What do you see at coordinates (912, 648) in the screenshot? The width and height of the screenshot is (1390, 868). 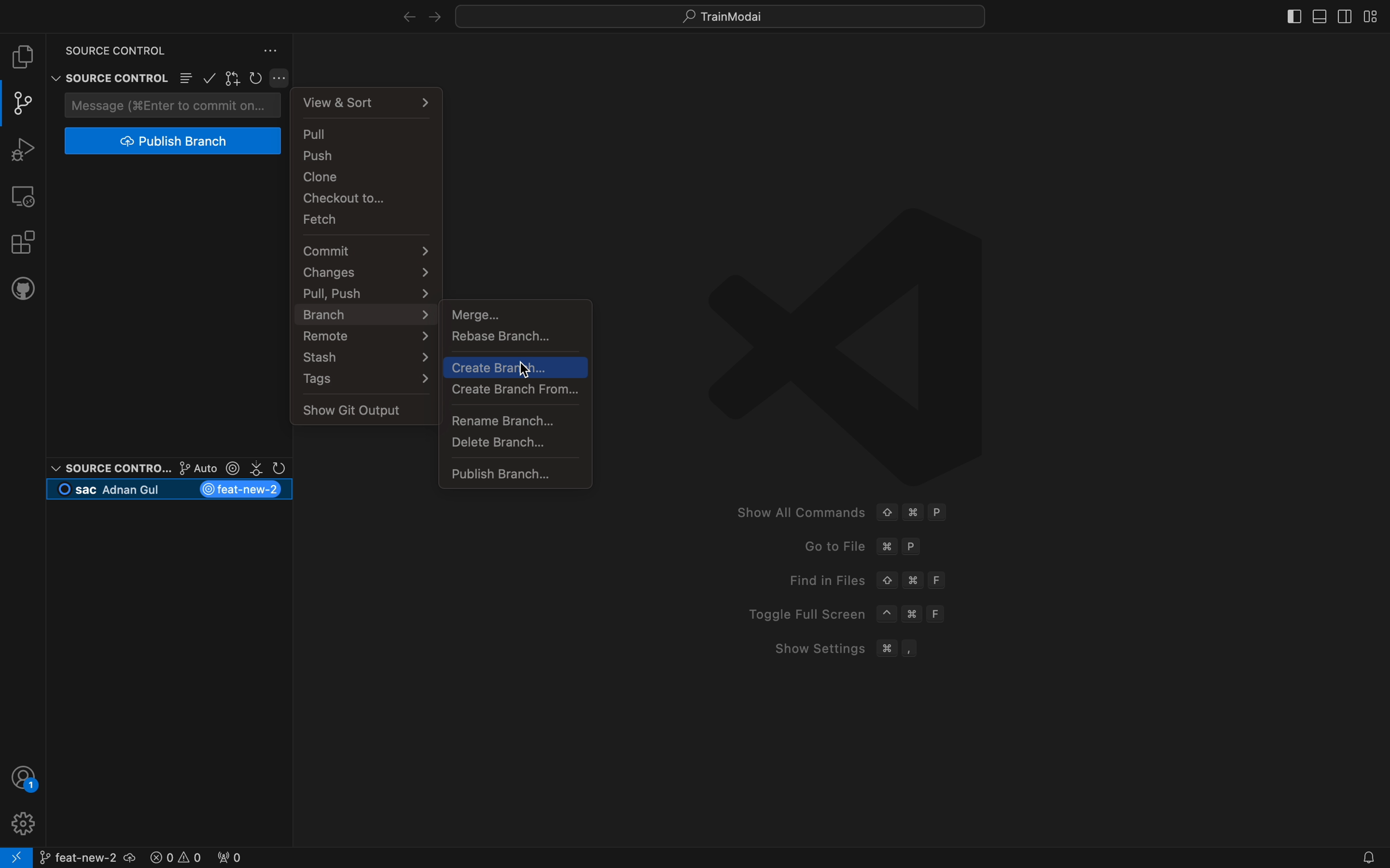 I see `,` at bounding box center [912, 648].